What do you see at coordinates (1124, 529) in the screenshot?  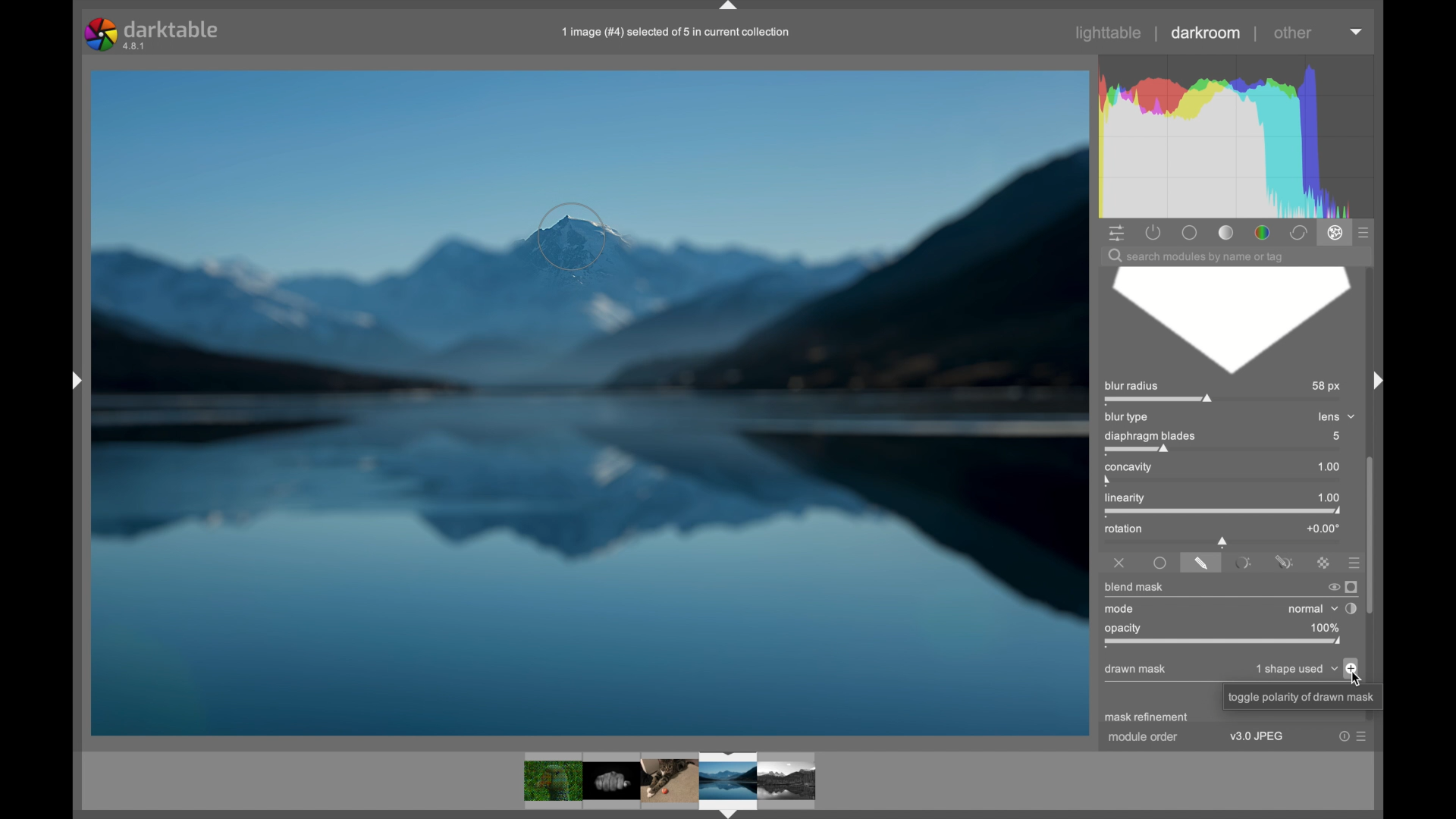 I see `rotation` at bounding box center [1124, 529].